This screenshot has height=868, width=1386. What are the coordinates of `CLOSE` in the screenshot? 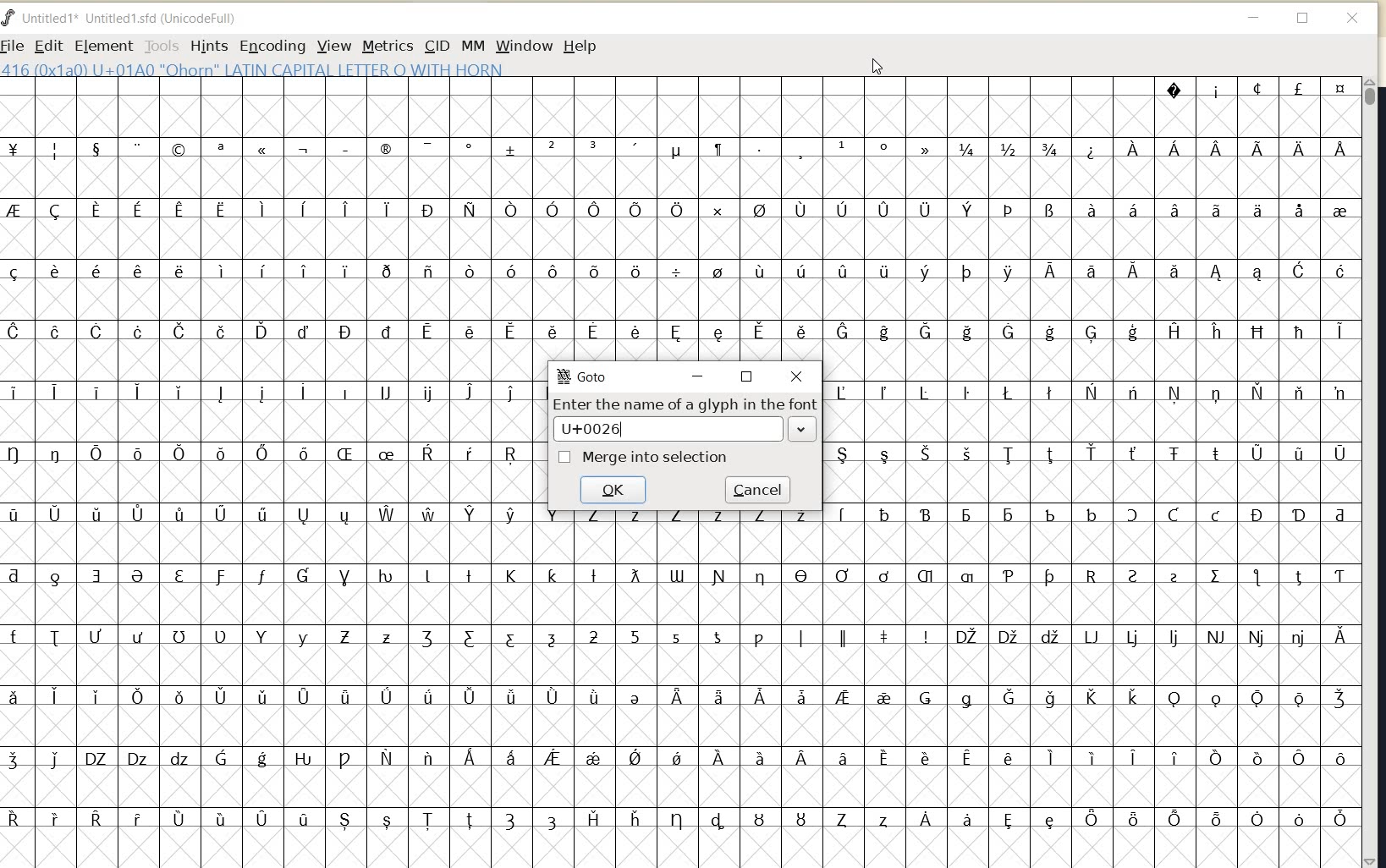 It's located at (1354, 19).